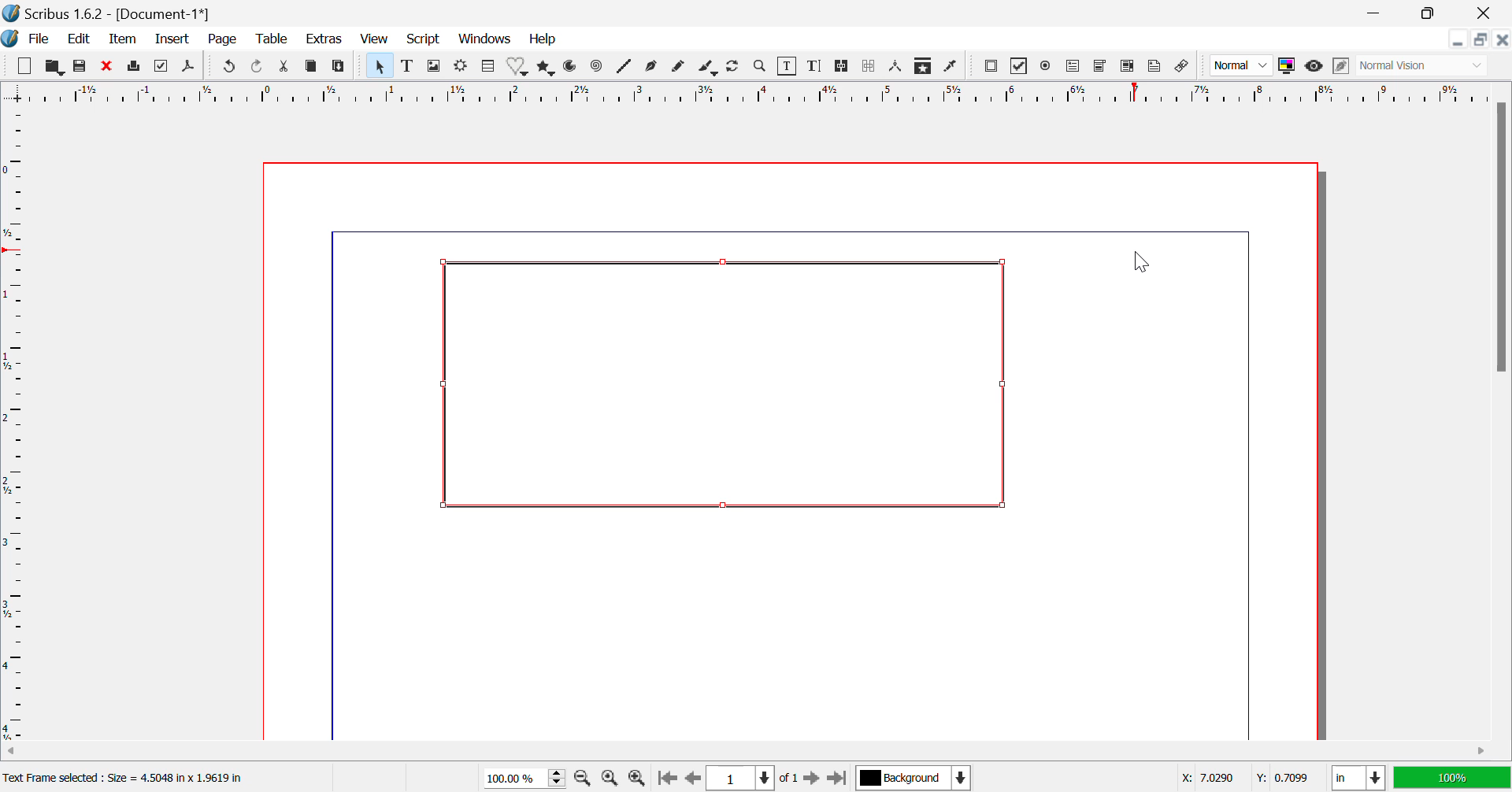  I want to click on Cut, so click(284, 66).